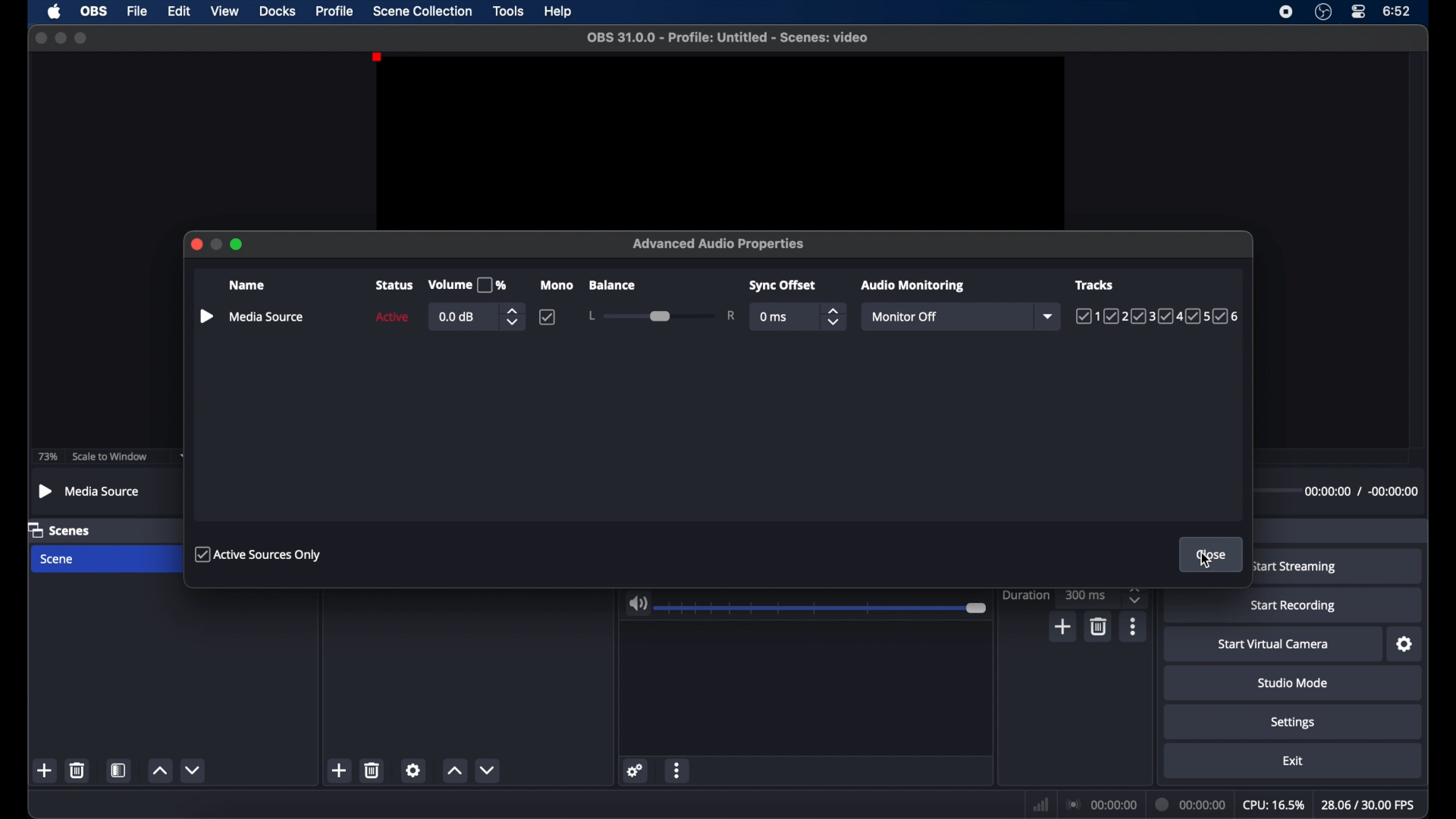 This screenshot has height=819, width=1456. Describe the element at coordinates (1398, 12) in the screenshot. I see `time` at that location.